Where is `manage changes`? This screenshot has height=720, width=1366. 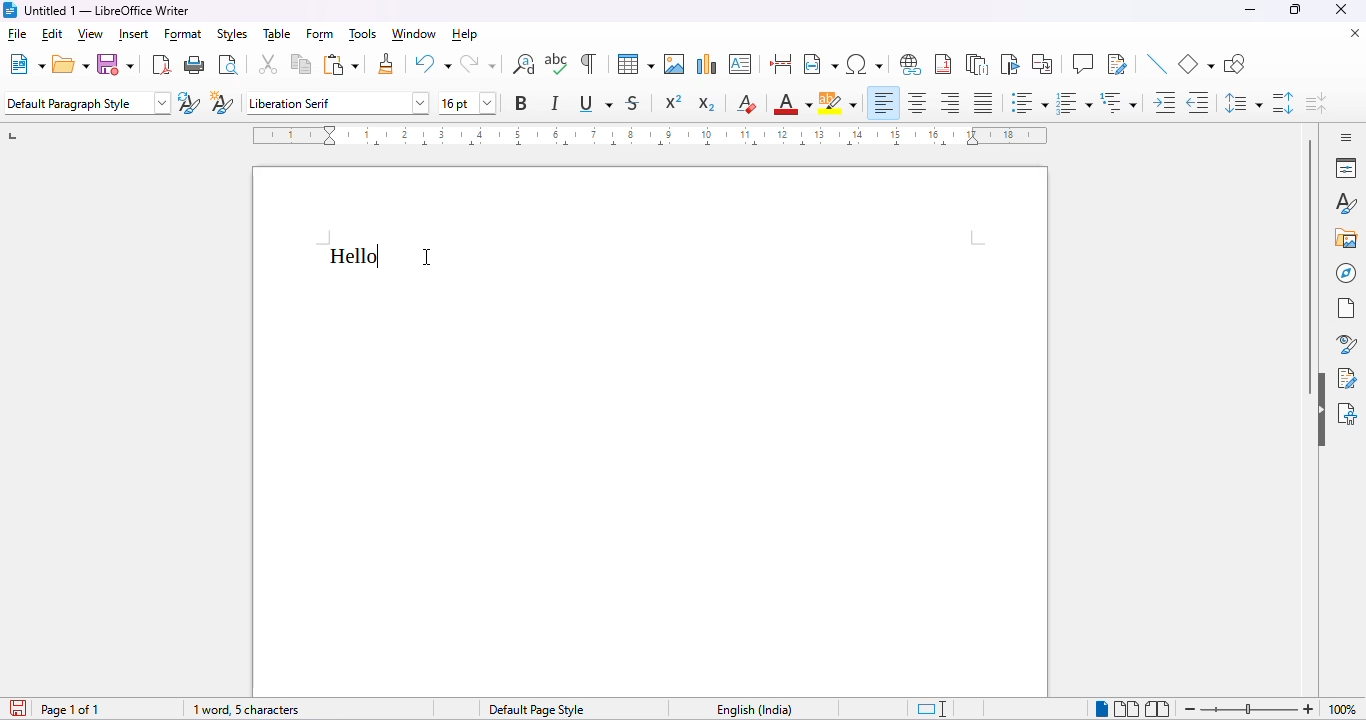 manage changes is located at coordinates (1349, 378).